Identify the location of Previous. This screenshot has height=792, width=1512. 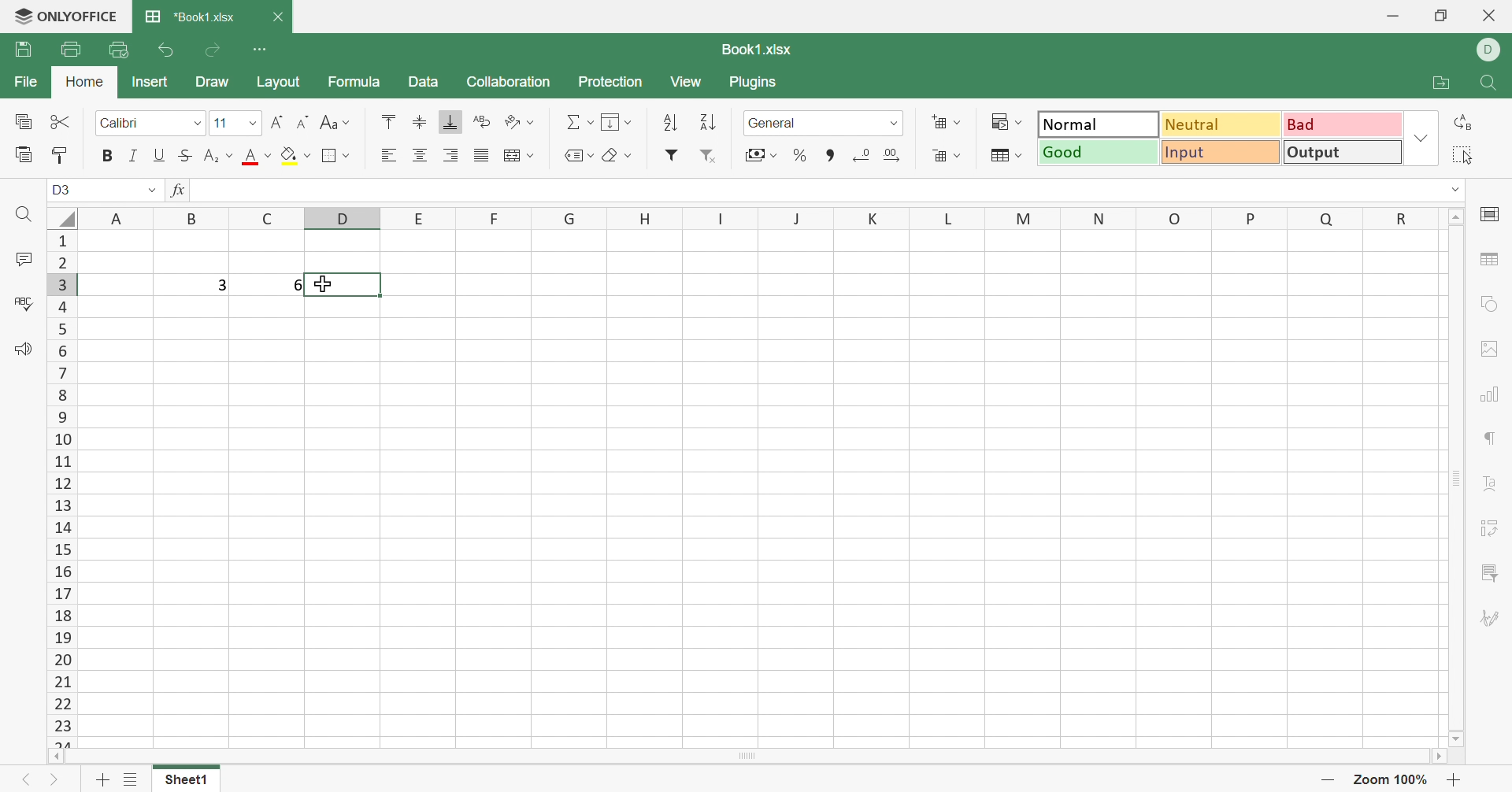
(27, 780).